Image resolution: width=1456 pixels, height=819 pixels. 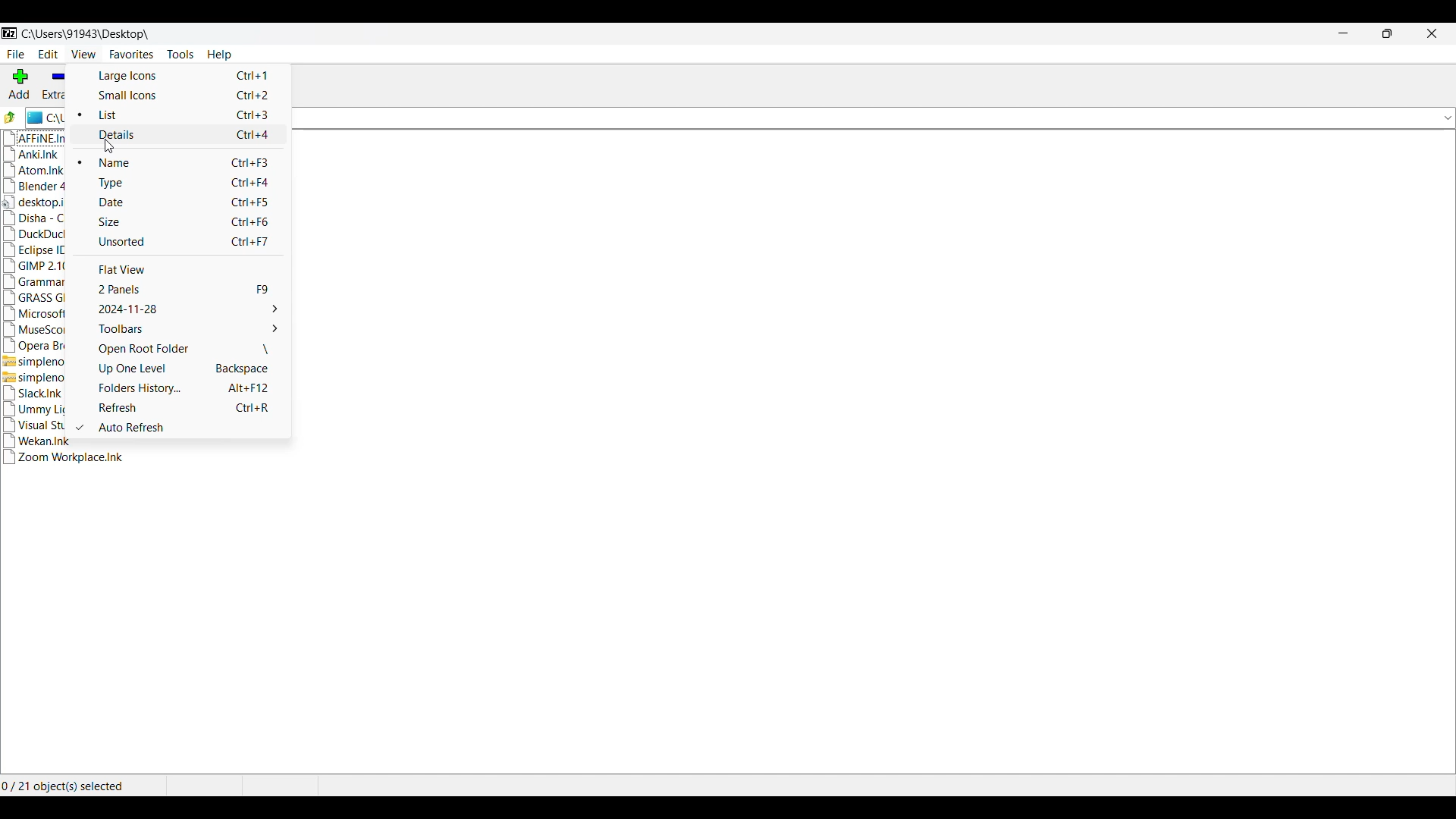 I want to click on View, so click(x=83, y=54).